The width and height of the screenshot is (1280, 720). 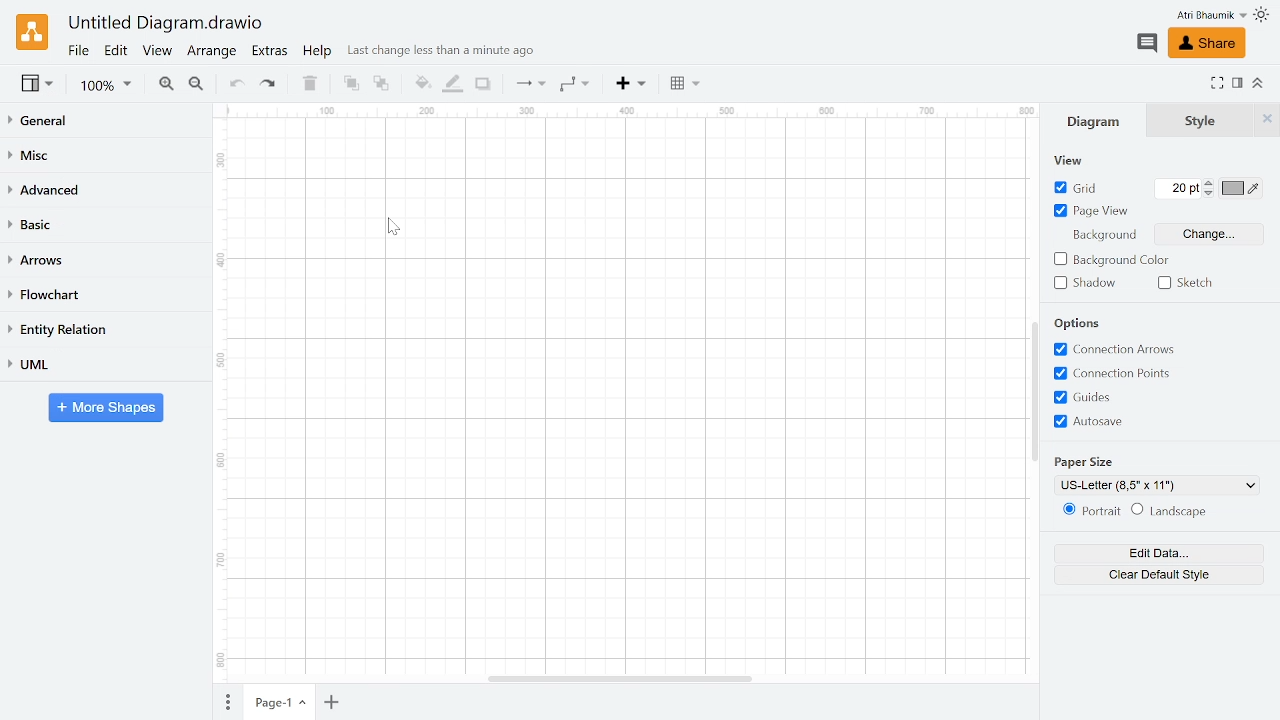 I want to click on Close, so click(x=1267, y=118).